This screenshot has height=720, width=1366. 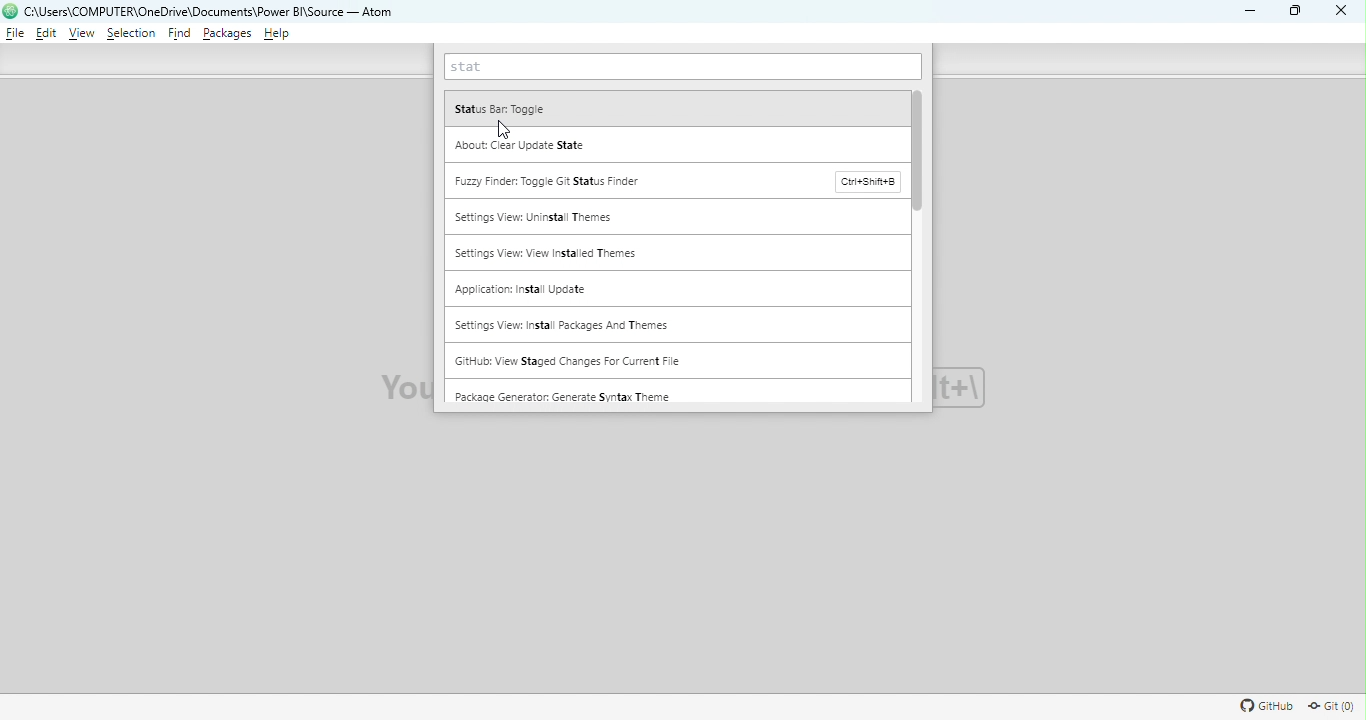 What do you see at coordinates (676, 107) in the screenshot?
I see `Status bar: Toggle` at bounding box center [676, 107].